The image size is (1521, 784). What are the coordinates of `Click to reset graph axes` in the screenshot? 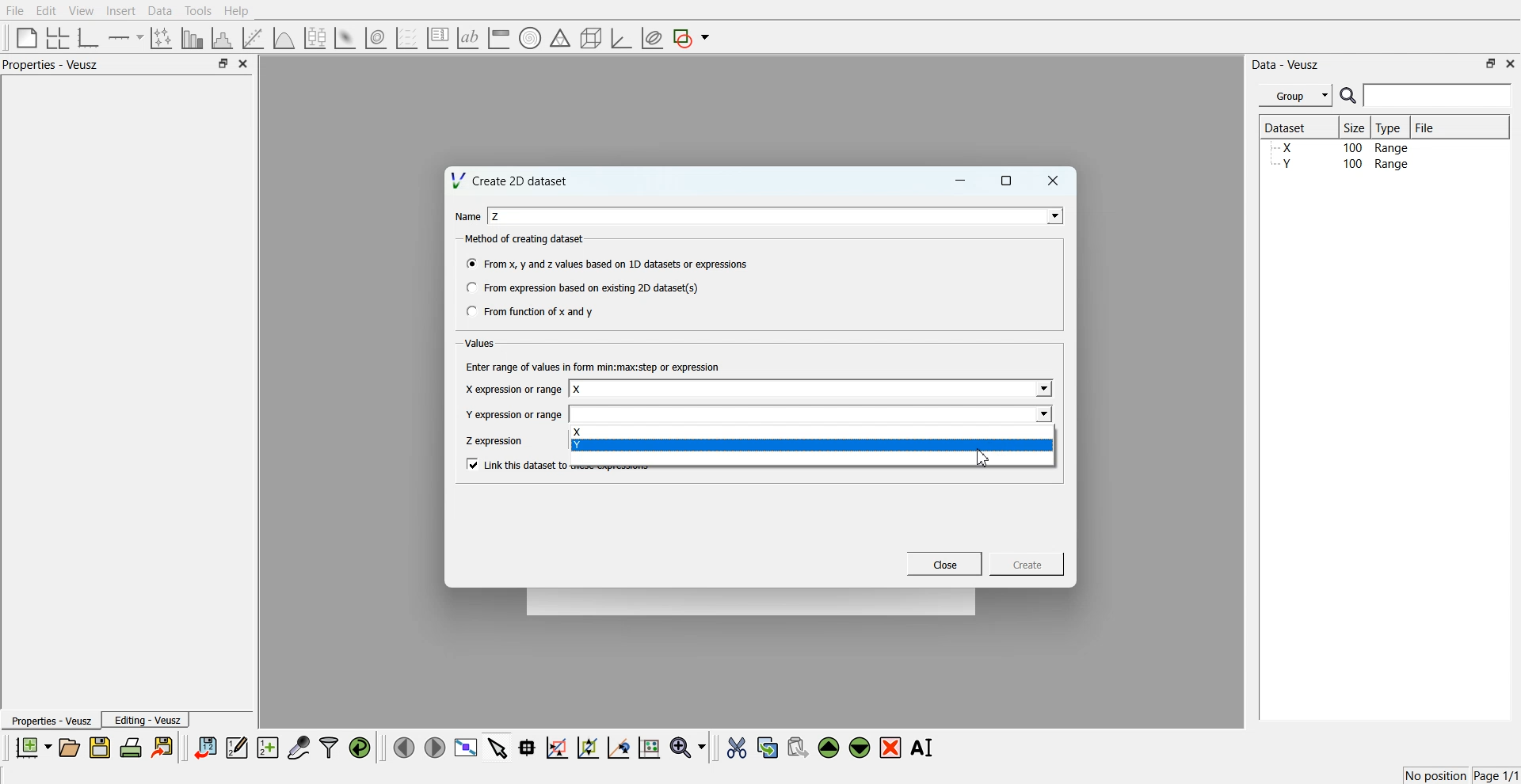 It's located at (649, 746).